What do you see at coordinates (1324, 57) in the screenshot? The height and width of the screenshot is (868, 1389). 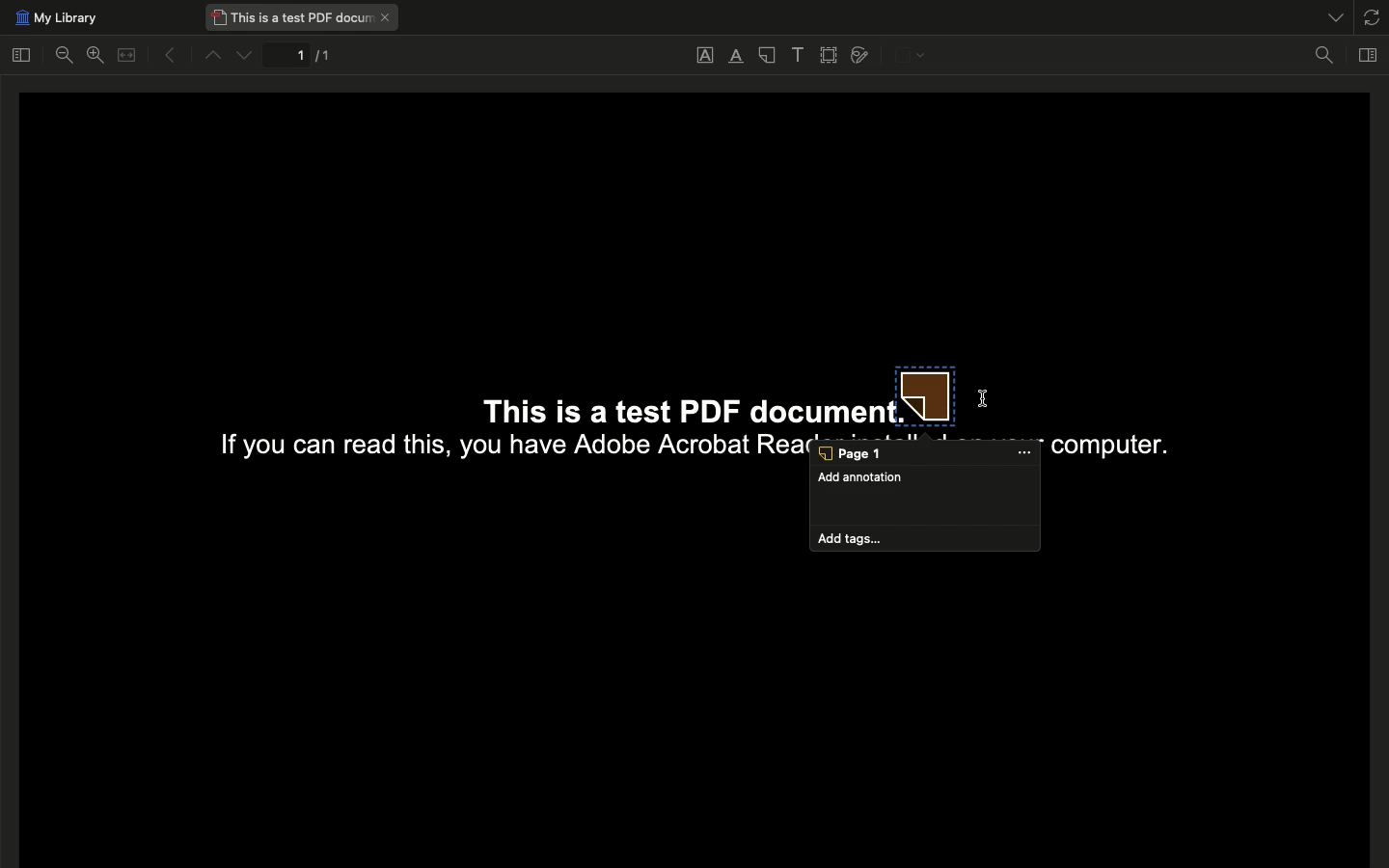 I see `Find in document` at bounding box center [1324, 57].